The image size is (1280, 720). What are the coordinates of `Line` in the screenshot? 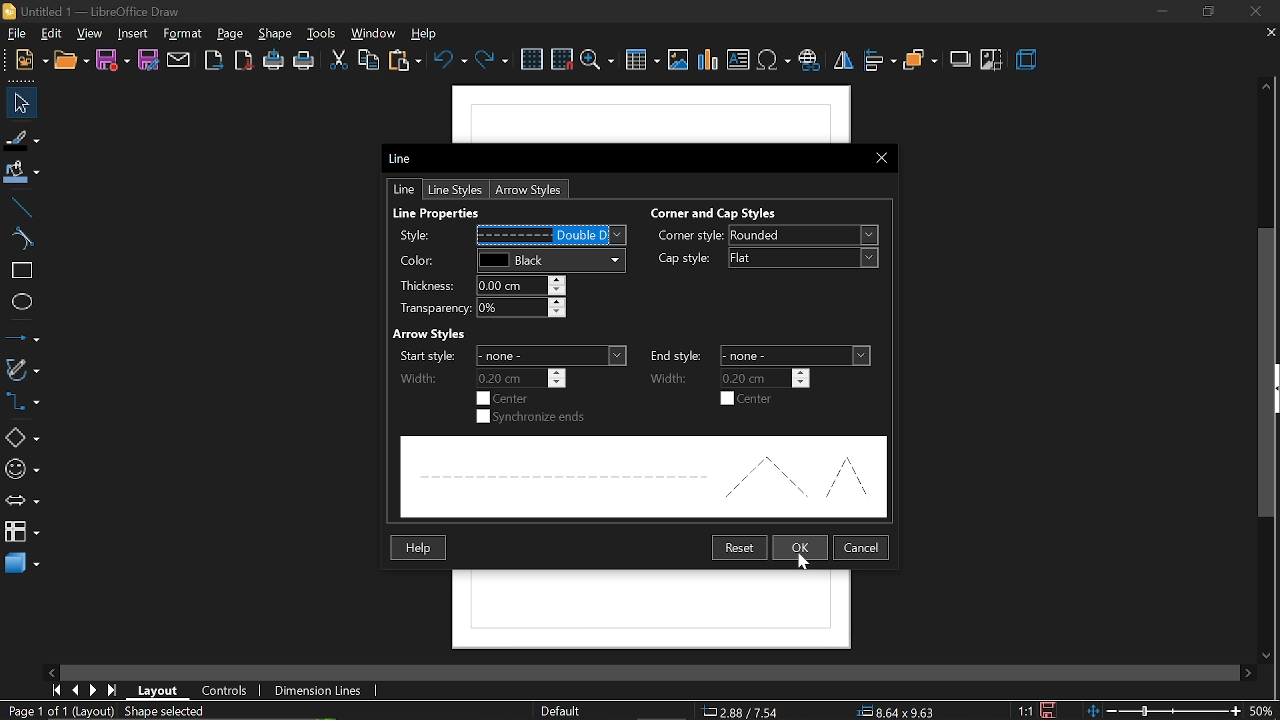 It's located at (406, 159).